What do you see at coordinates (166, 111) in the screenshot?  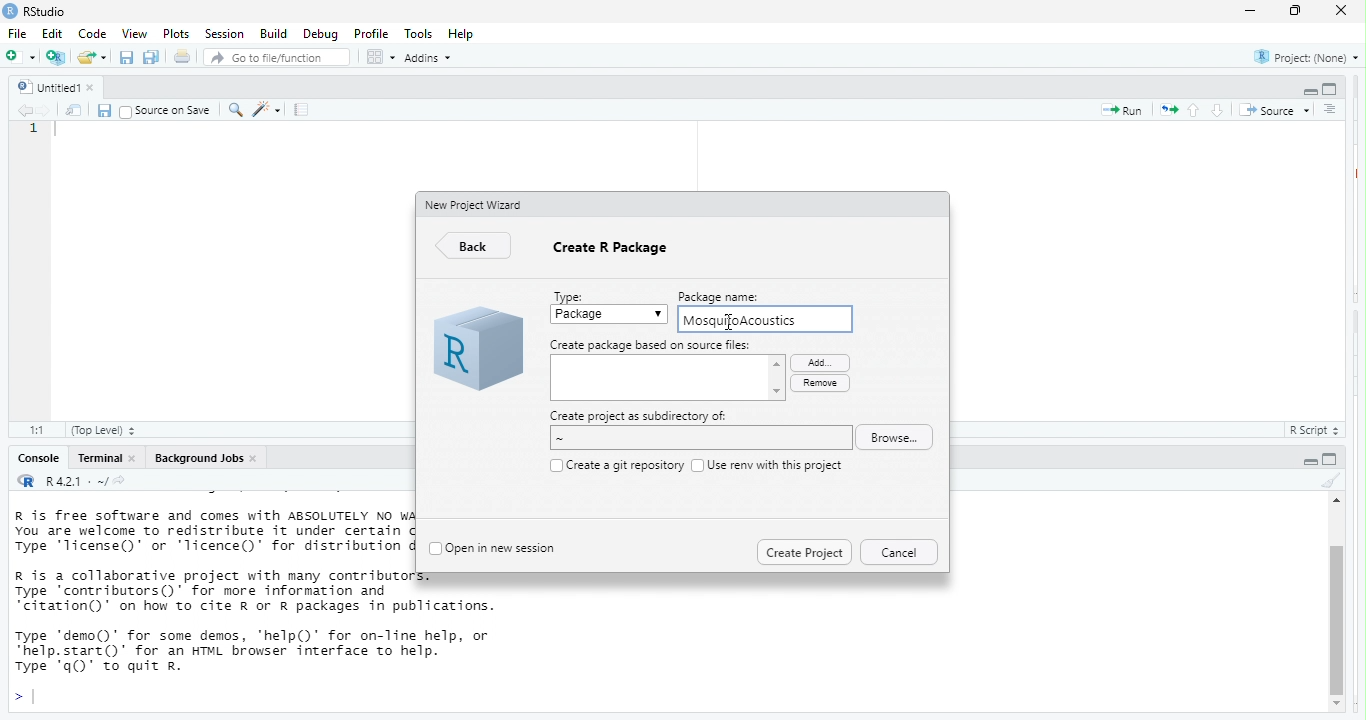 I see ` Source on Save` at bounding box center [166, 111].